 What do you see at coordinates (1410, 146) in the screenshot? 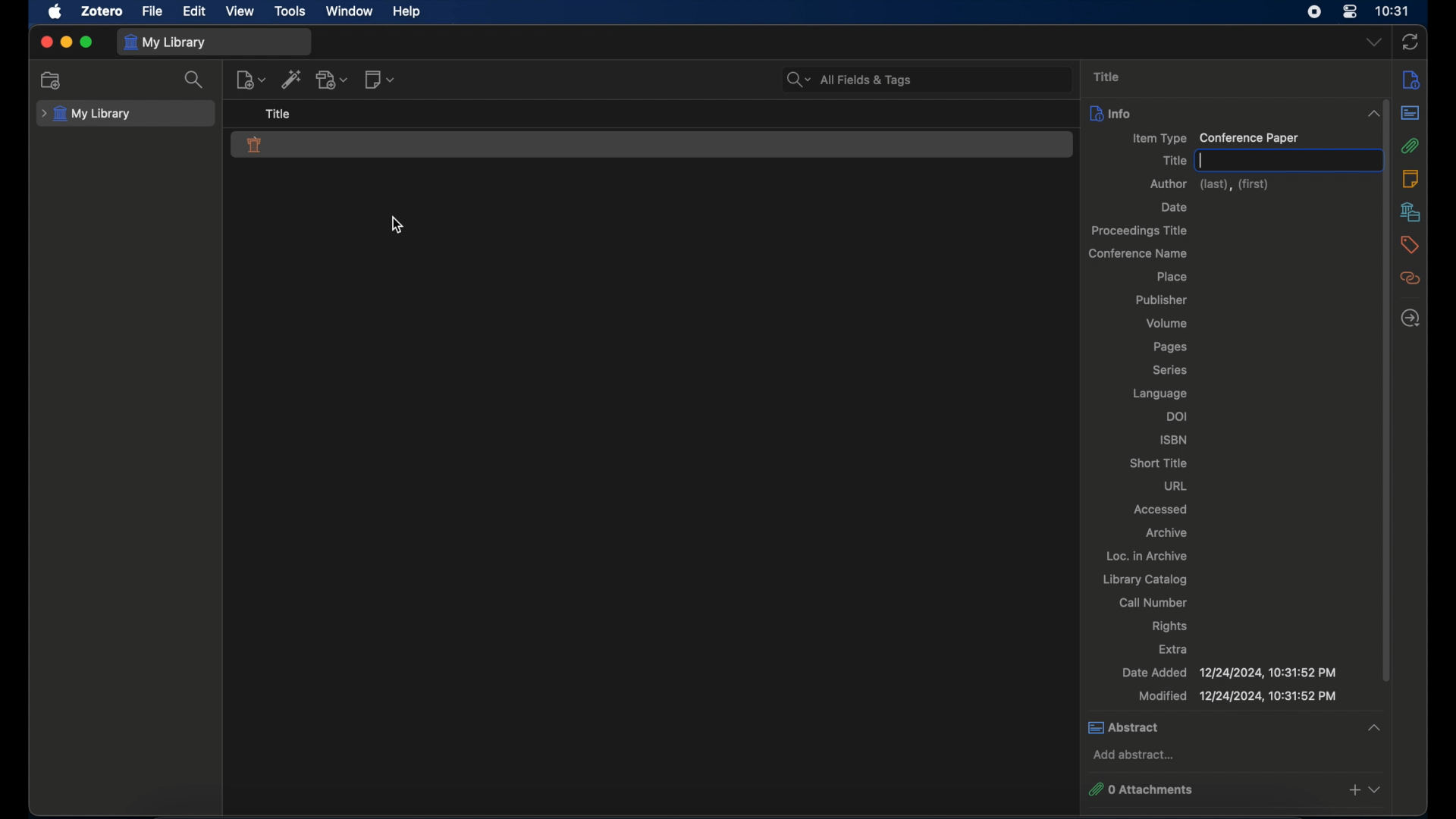
I see `attachments` at bounding box center [1410, 146].